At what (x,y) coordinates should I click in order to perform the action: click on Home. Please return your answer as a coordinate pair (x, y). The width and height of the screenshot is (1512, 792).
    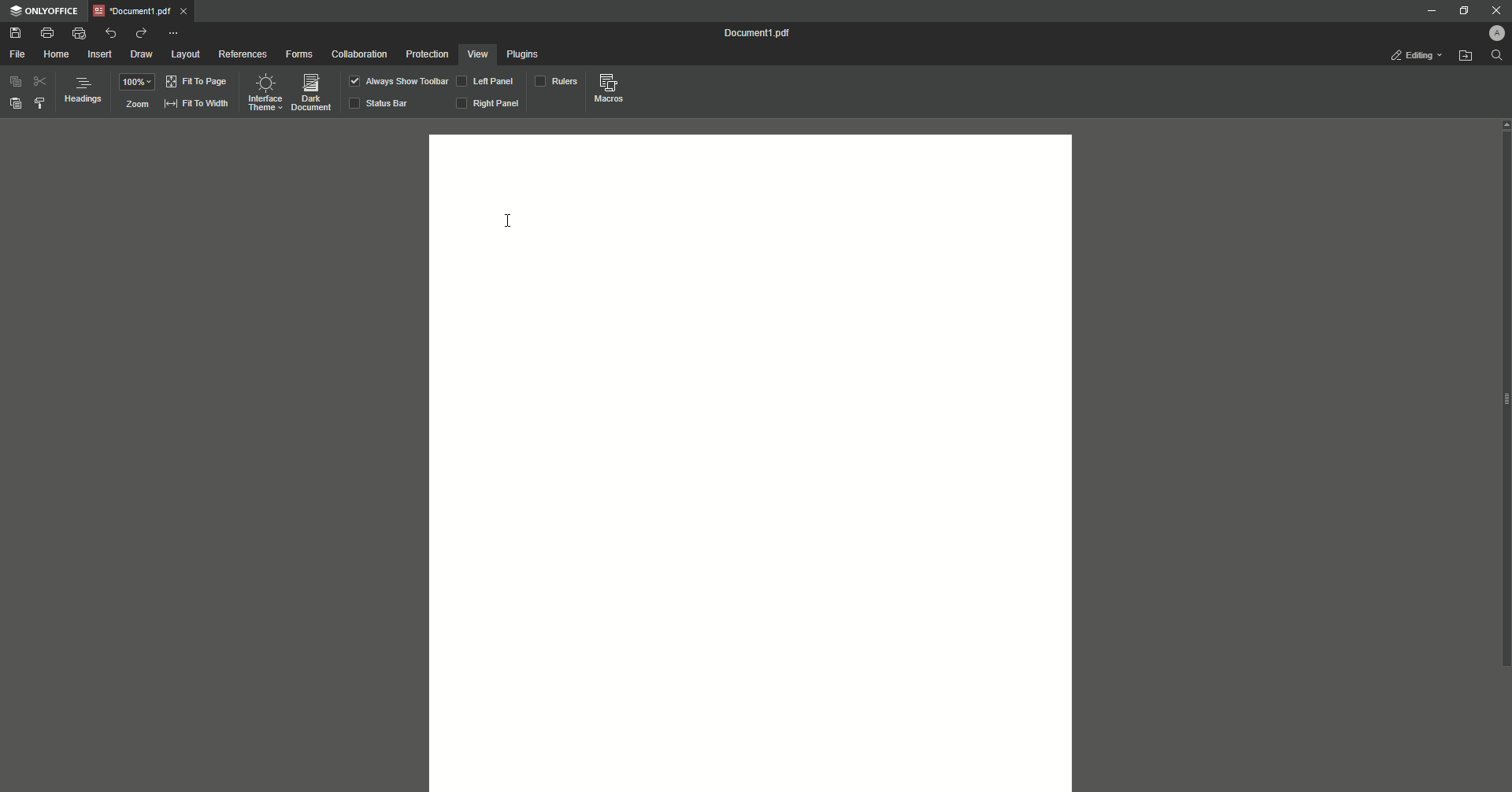
    Looking at the image, I should click on (60, 54).